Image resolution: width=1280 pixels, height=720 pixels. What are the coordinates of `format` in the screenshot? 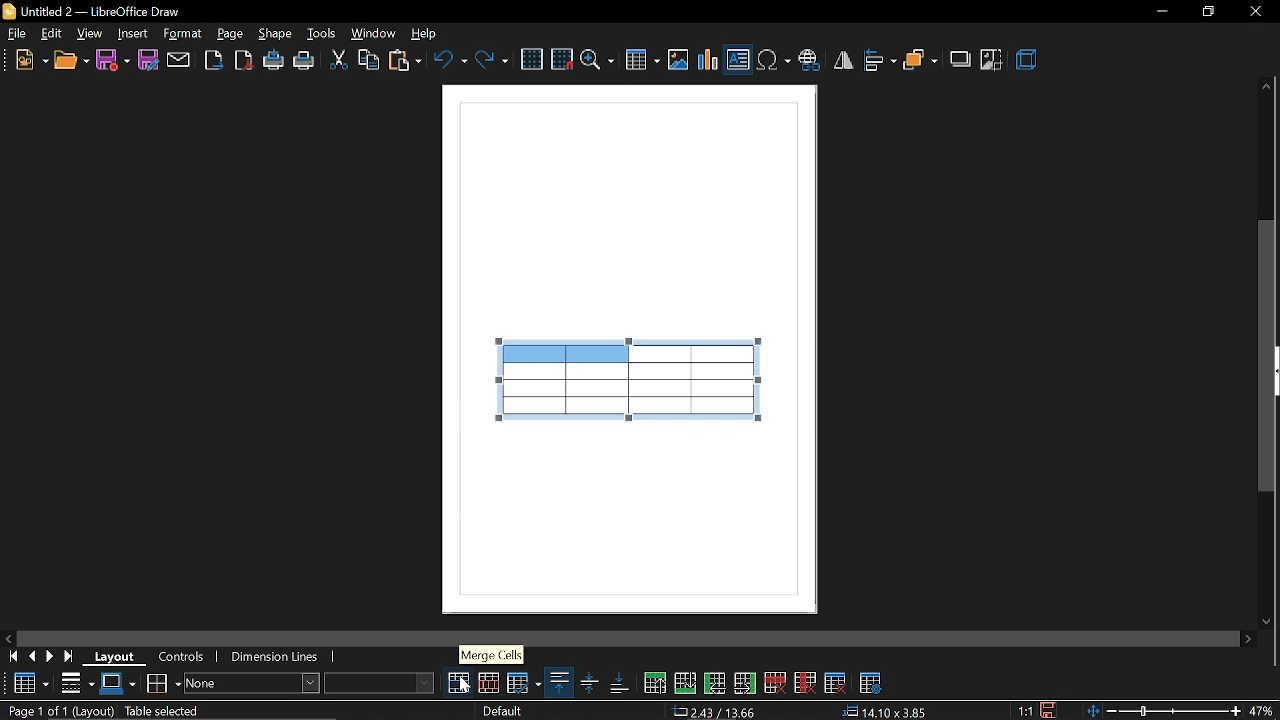 It's located at (183, 33).